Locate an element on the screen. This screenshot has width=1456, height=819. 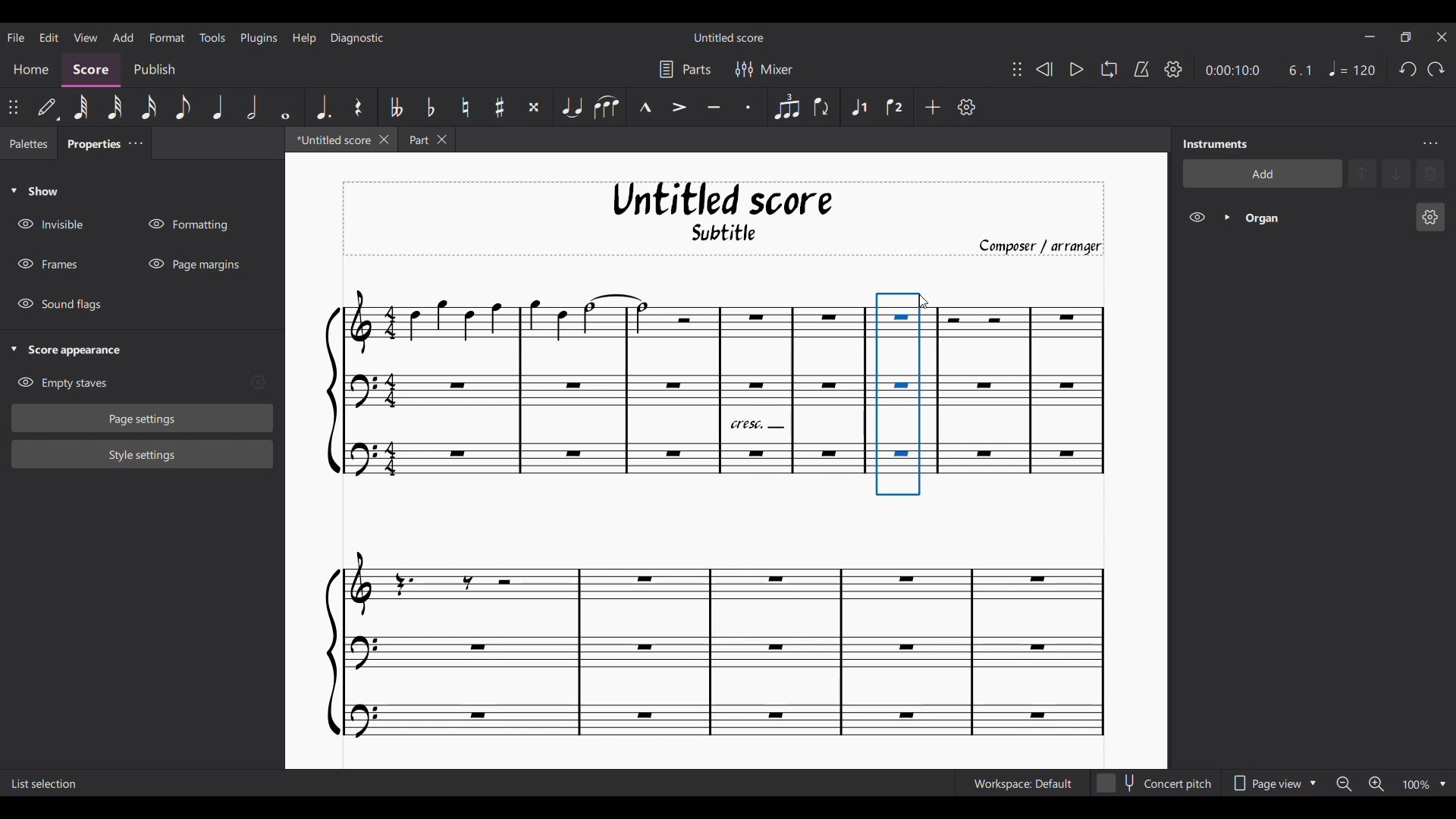
View menu is located at coordinates (86, 37).